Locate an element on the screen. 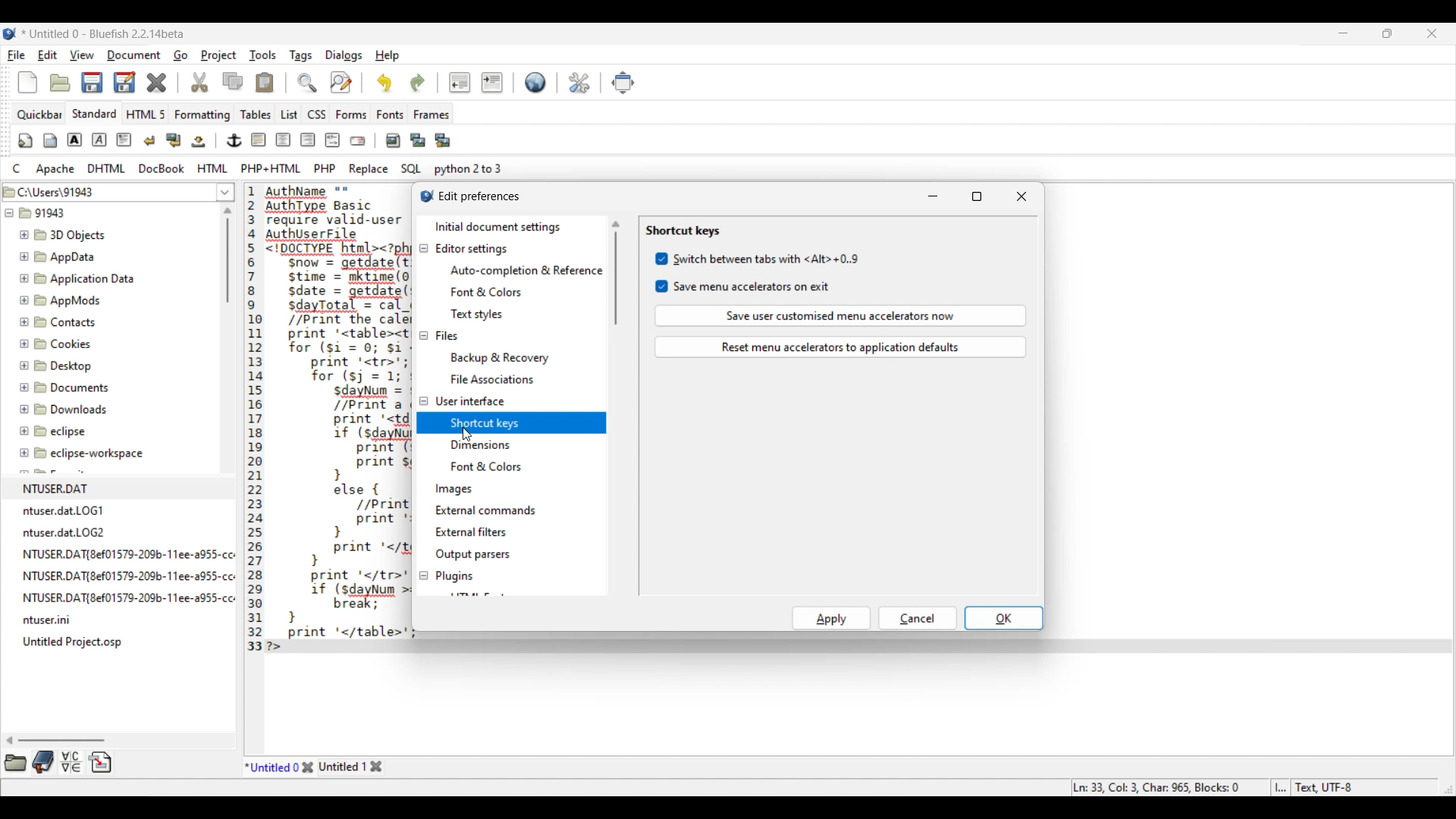 Image resolution: width=1456 pixels, height=819 pixels. Initial document settings, current selection highlighted is located at coordinates (510, 227).